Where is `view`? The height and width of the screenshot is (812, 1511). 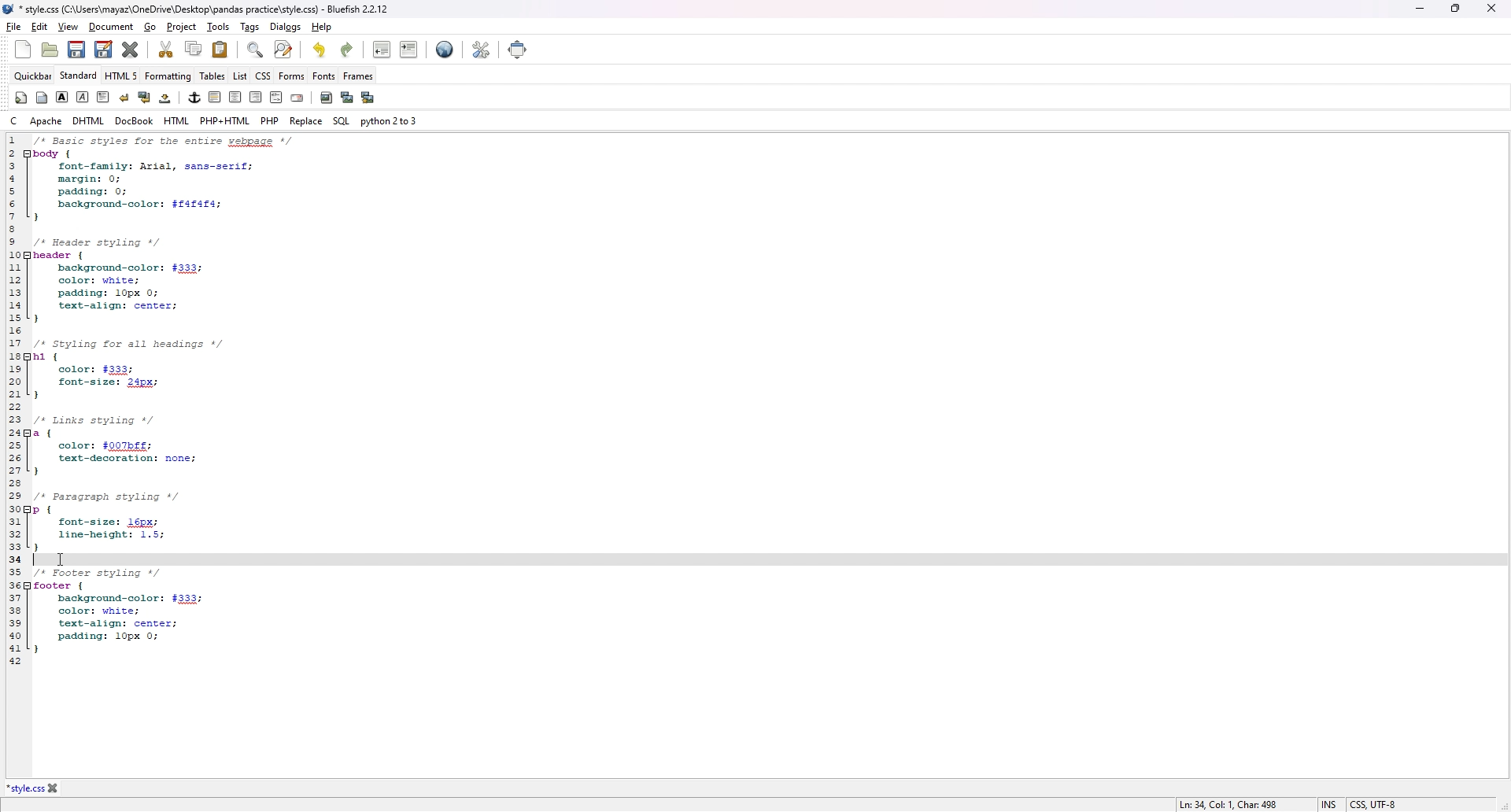 view is located at coordinates (68, 28).